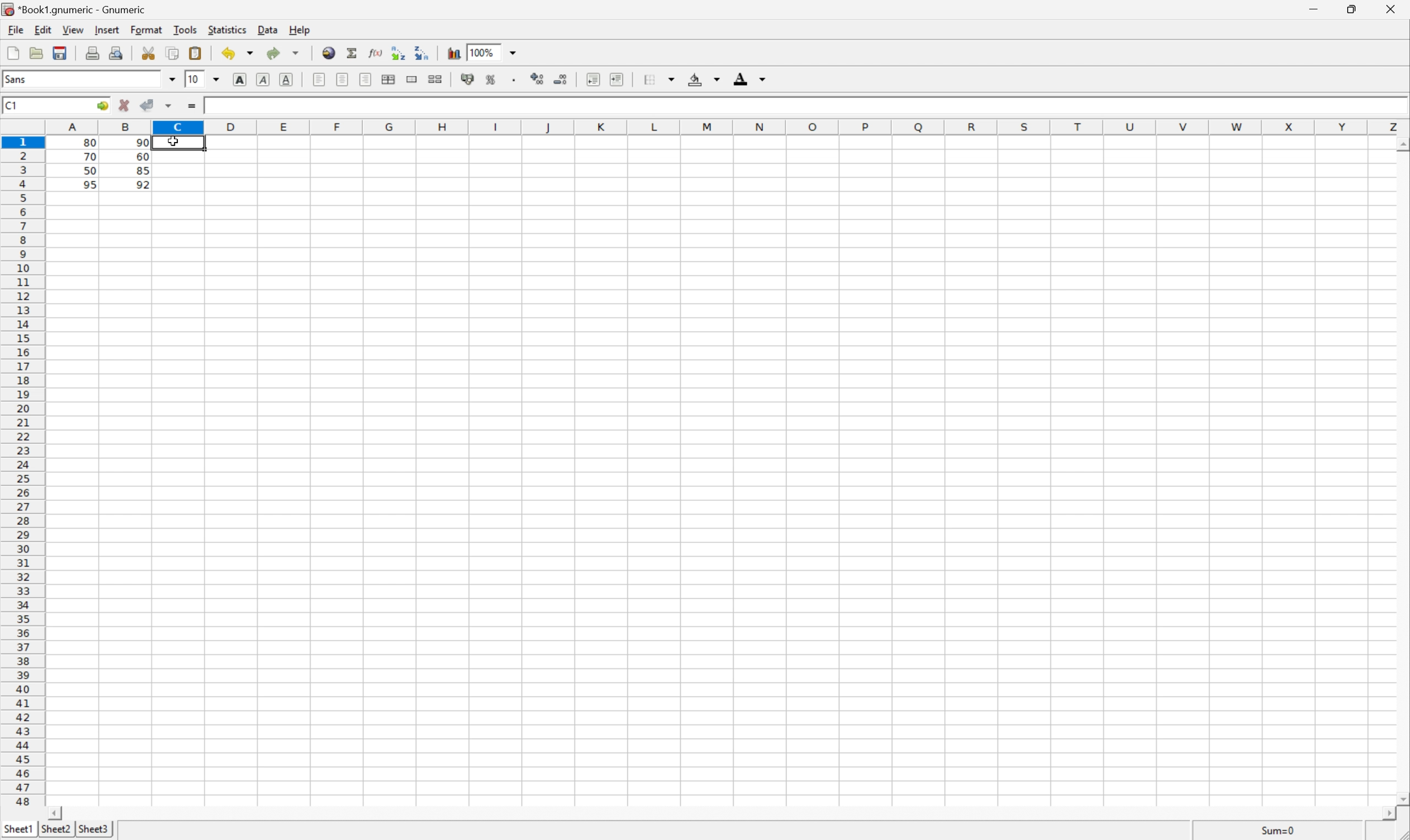 Image resolution: width=1410 pixels, height=840 pixels. I want to click on Column names, so click(727, 127).